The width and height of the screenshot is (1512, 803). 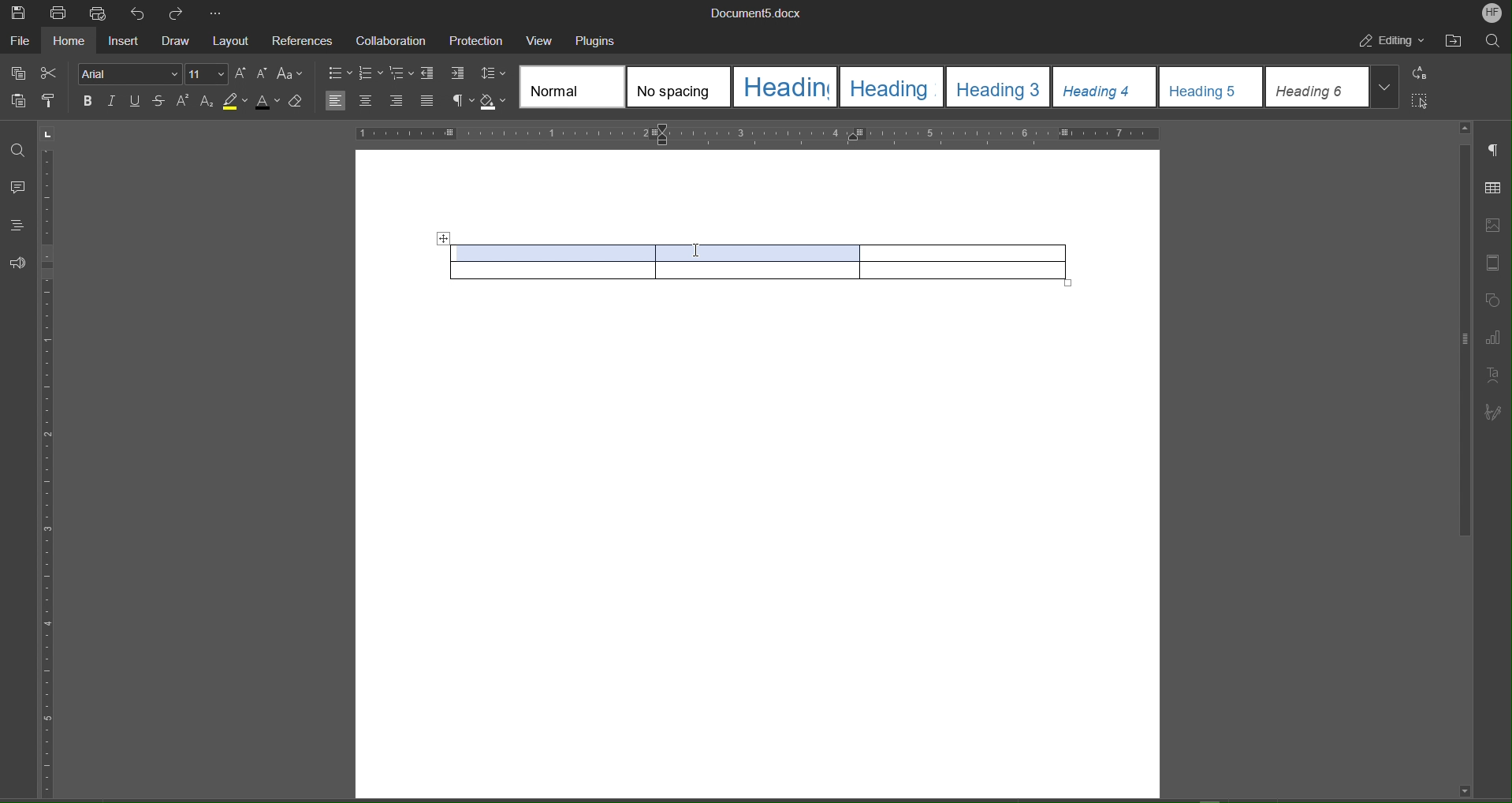 What do you see at coordinates (20, 43) in the screenshot?
I see `File` at bounding box center [20, 43].